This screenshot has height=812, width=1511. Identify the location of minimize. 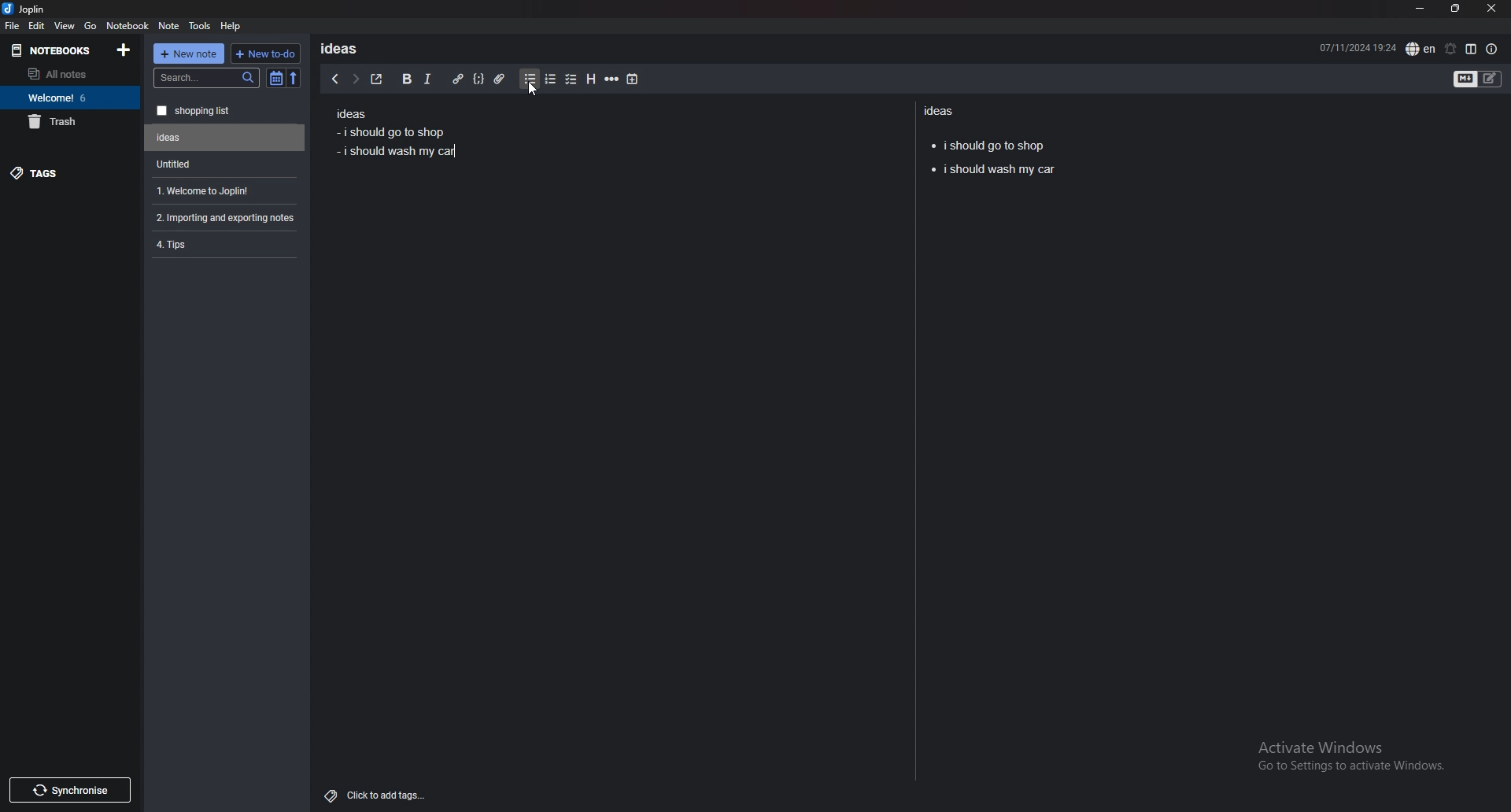
(1420, 9).